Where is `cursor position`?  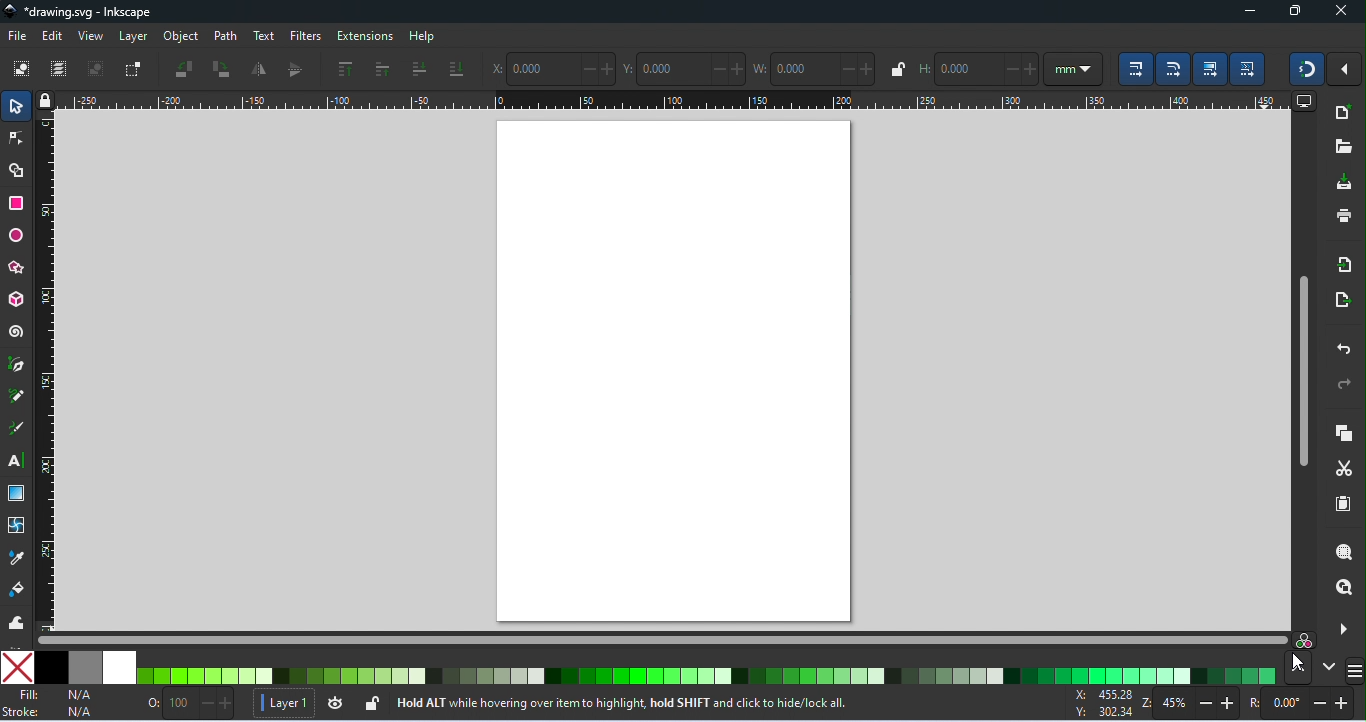 cursor position is located at coordinates (1104, 704).